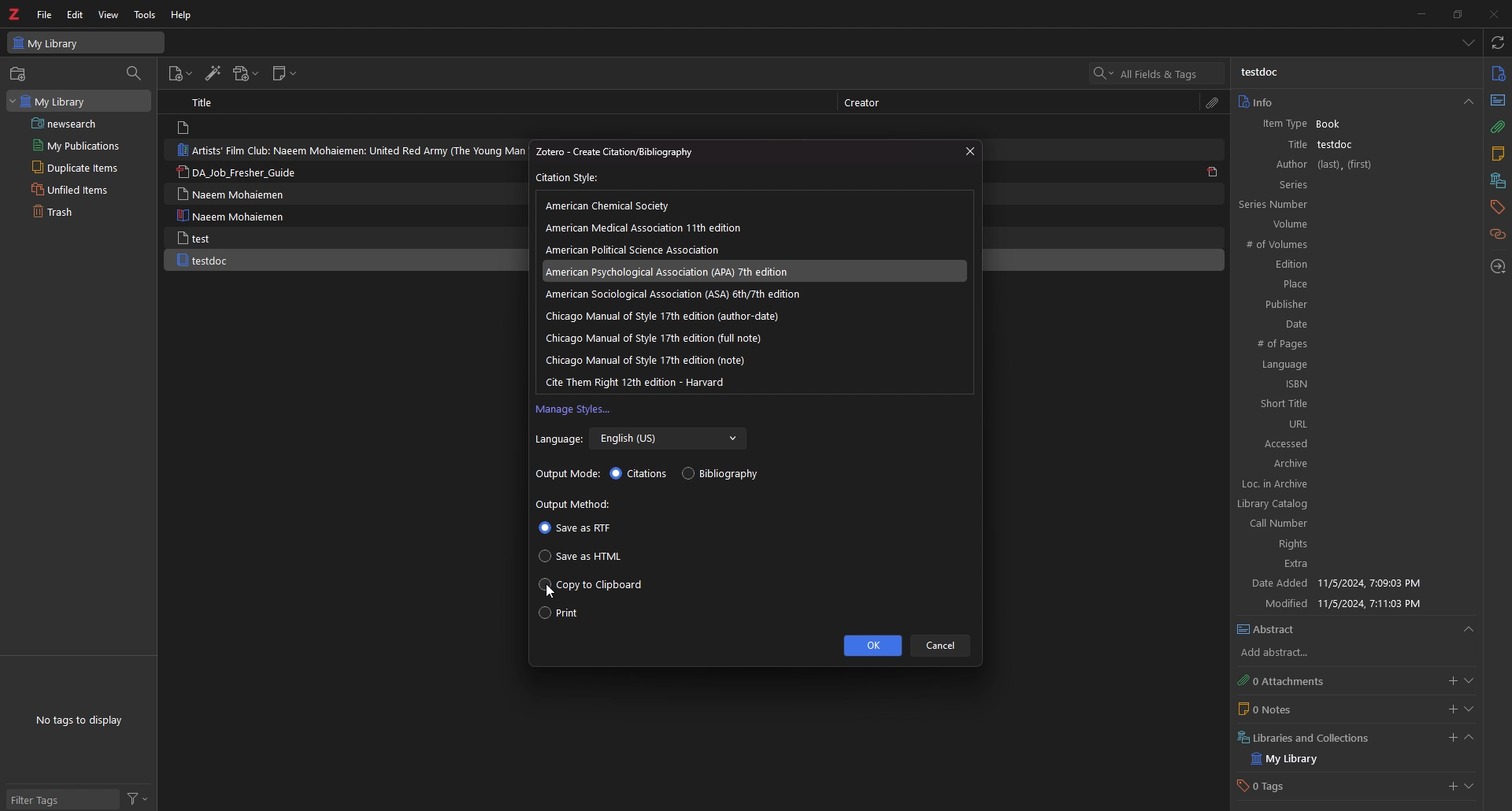 The width and height of the screenshot is (1512, 811). Describe the element at coordinates (1349, 365) in the screenshot. I see `Languages` at that location.